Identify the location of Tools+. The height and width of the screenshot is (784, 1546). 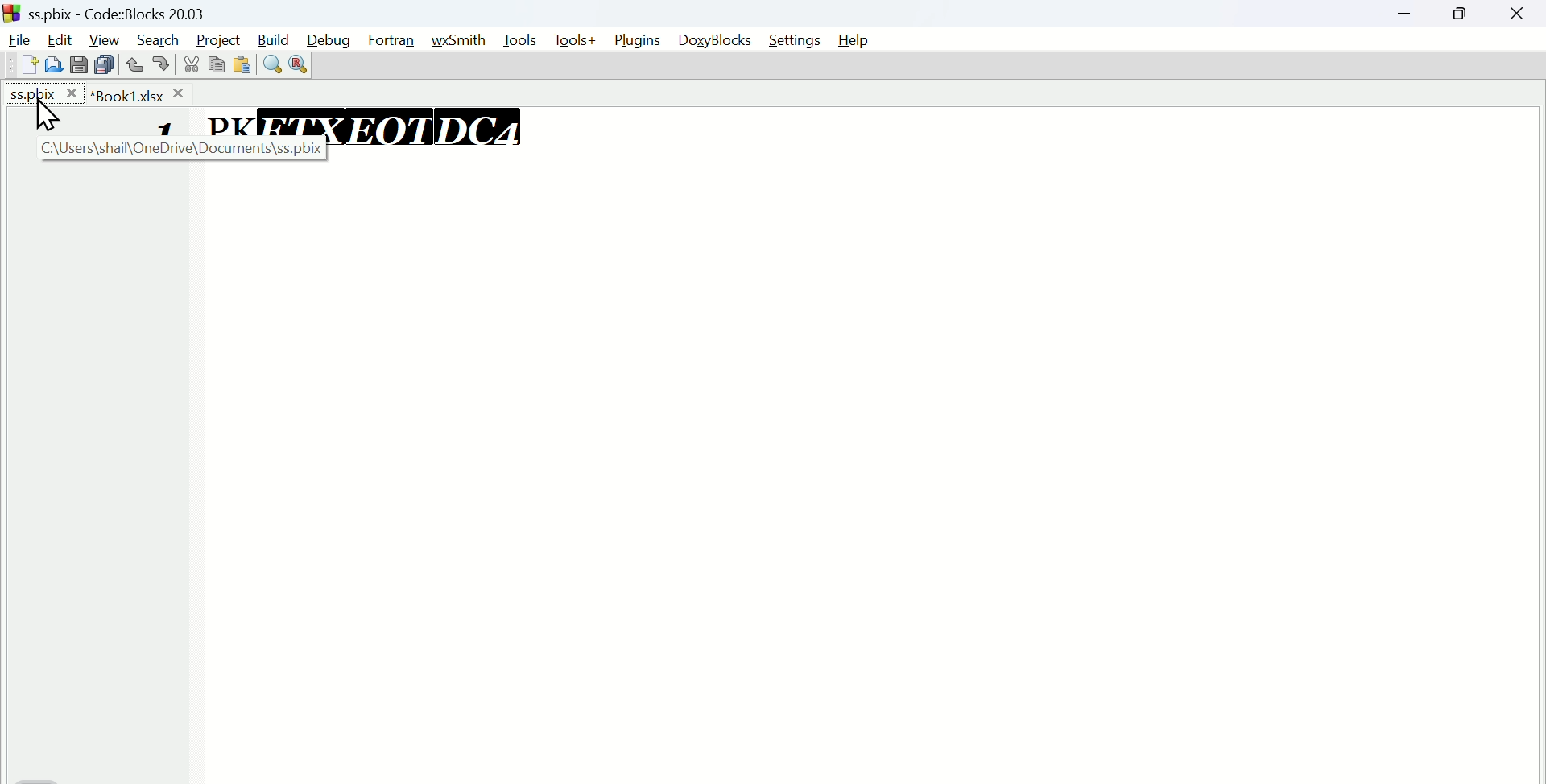
(575, 41).